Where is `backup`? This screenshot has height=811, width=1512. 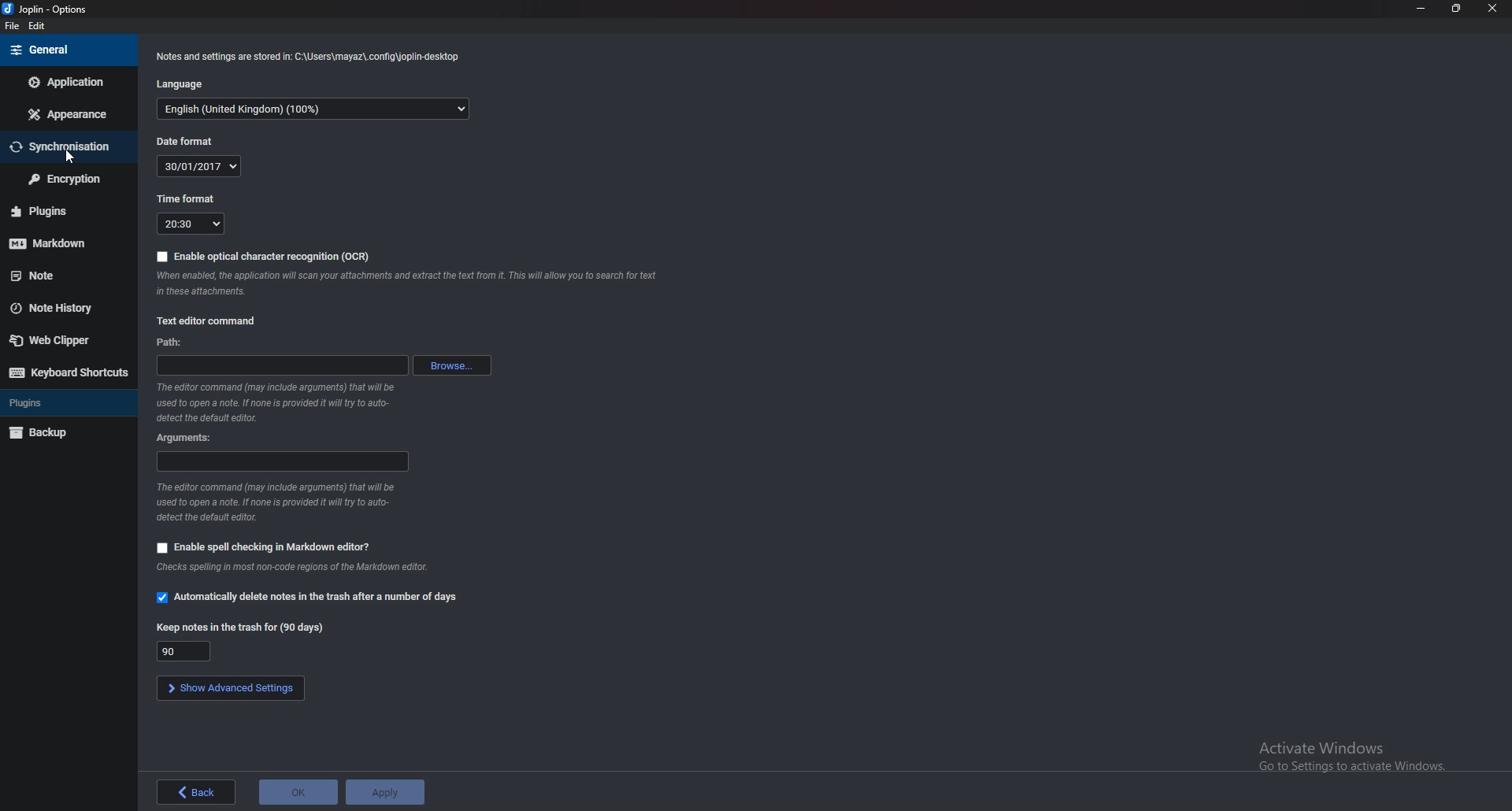
backup is located at coordinates (49, 432).